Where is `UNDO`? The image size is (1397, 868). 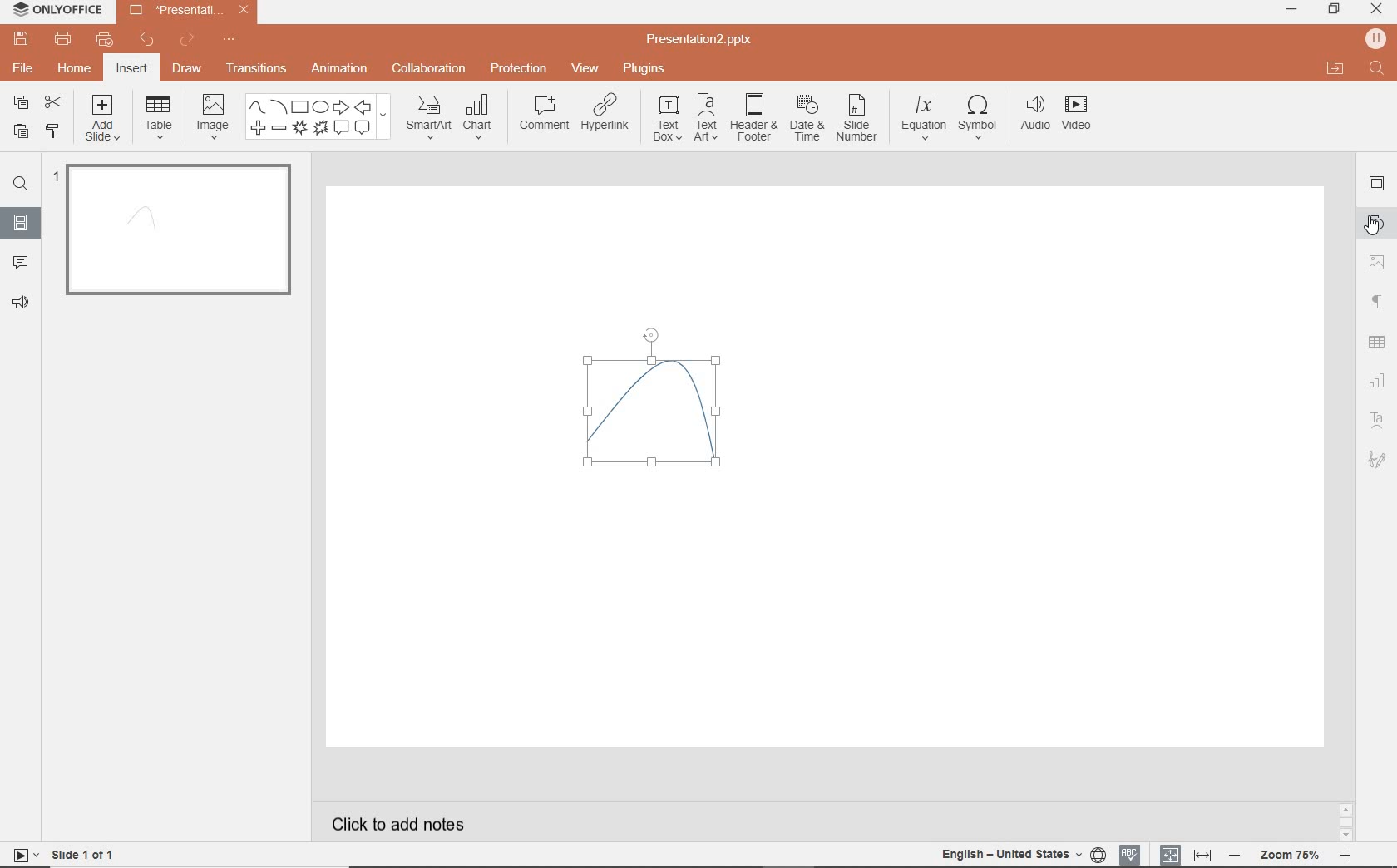
UNDO is located at coordinates (146, 42).